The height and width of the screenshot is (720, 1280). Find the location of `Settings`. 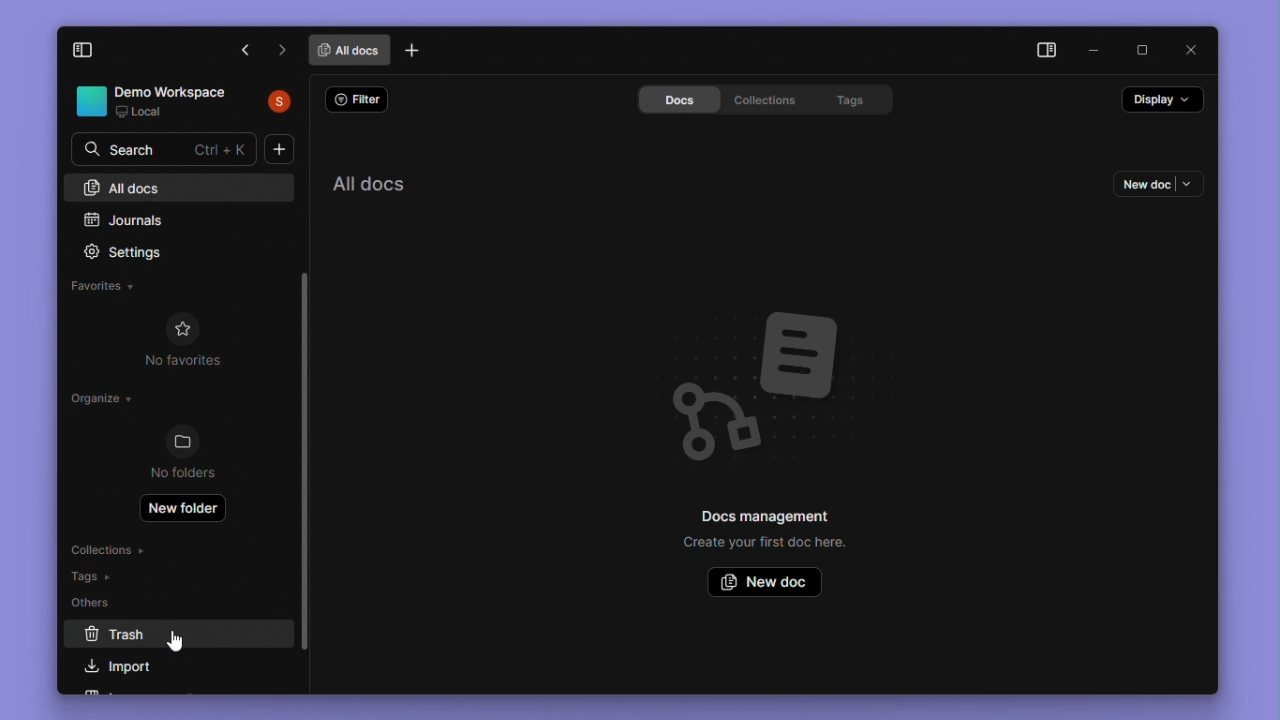

Settings is located at coordinates (123, 251).